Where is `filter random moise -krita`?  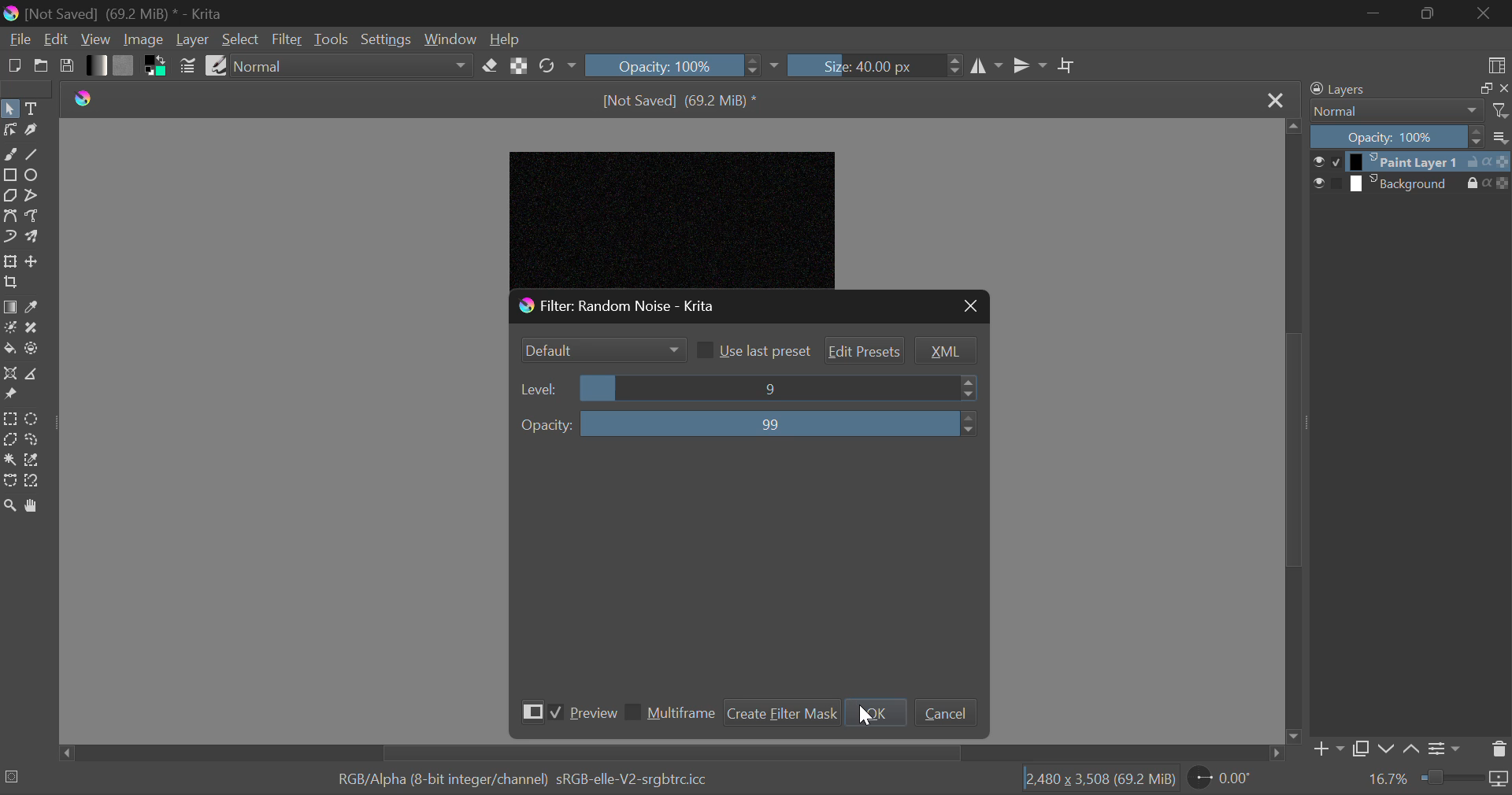
filter random moise -krita is located at coordinates (676, 304).